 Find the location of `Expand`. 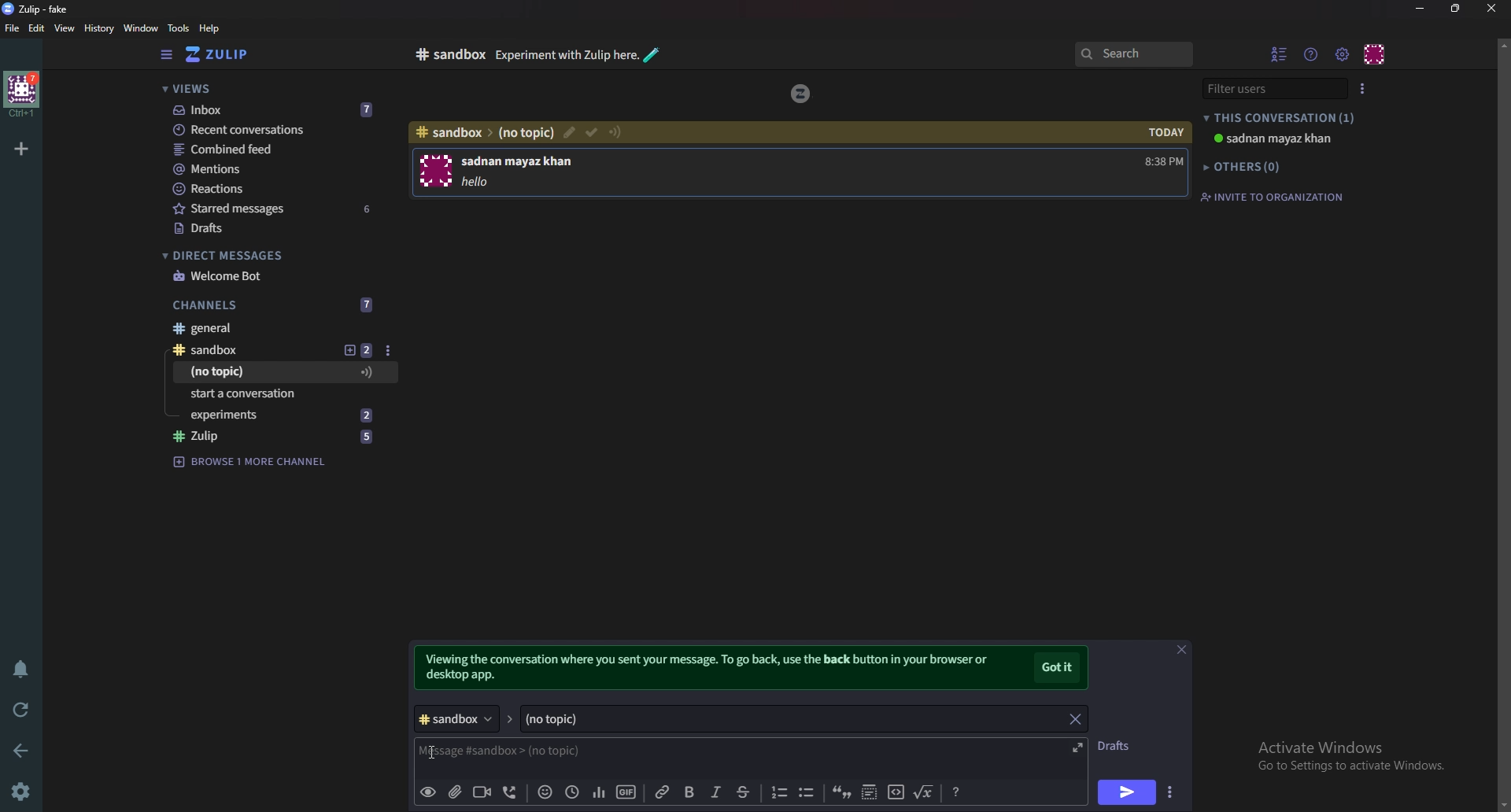

Expand is located at coordinates (1081, 746).